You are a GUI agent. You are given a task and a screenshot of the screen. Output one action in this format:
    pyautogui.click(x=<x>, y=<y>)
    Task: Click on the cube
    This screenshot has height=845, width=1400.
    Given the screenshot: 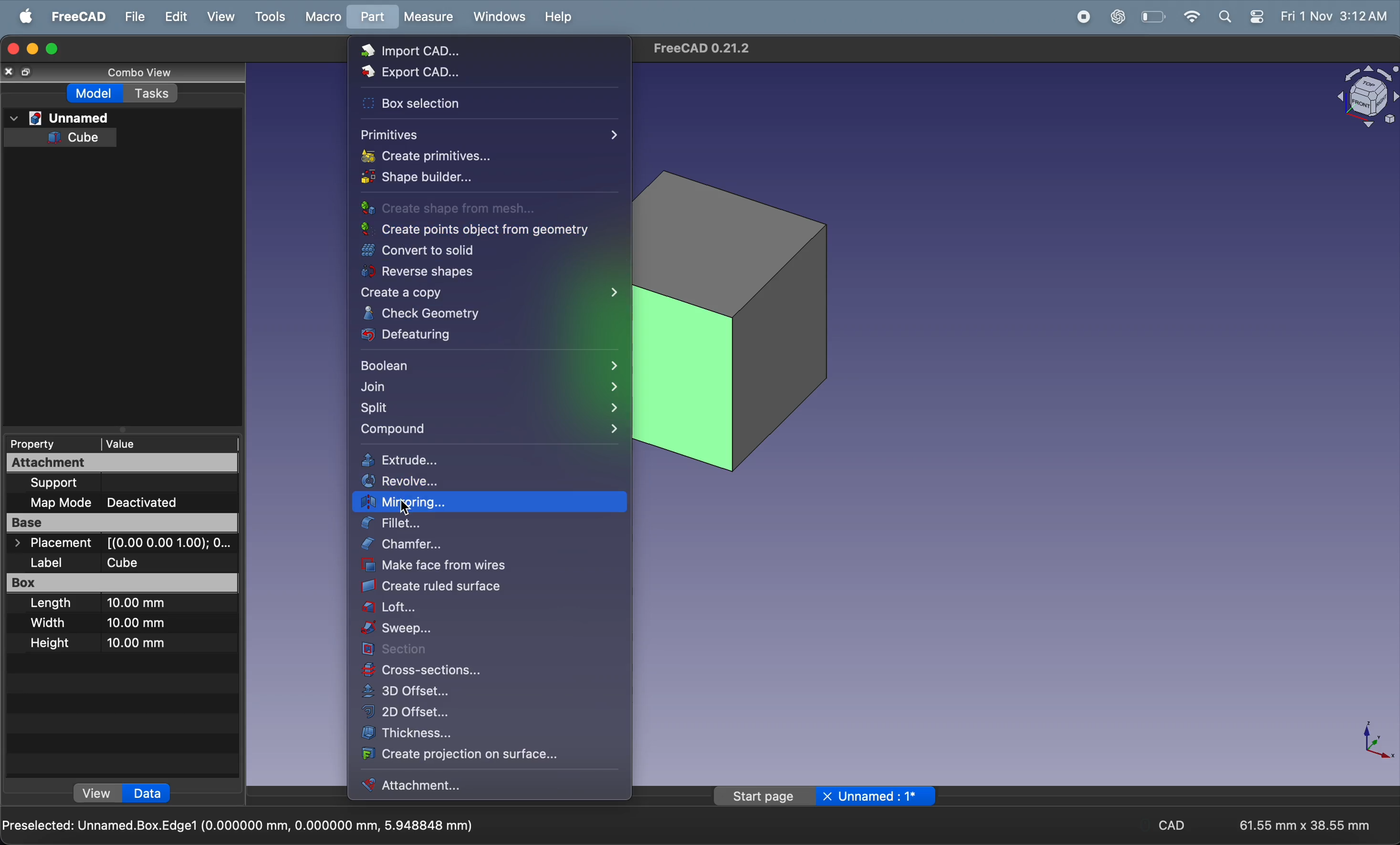 What is the action you would take?
    pyautogui.click(x=82, y=136)
    